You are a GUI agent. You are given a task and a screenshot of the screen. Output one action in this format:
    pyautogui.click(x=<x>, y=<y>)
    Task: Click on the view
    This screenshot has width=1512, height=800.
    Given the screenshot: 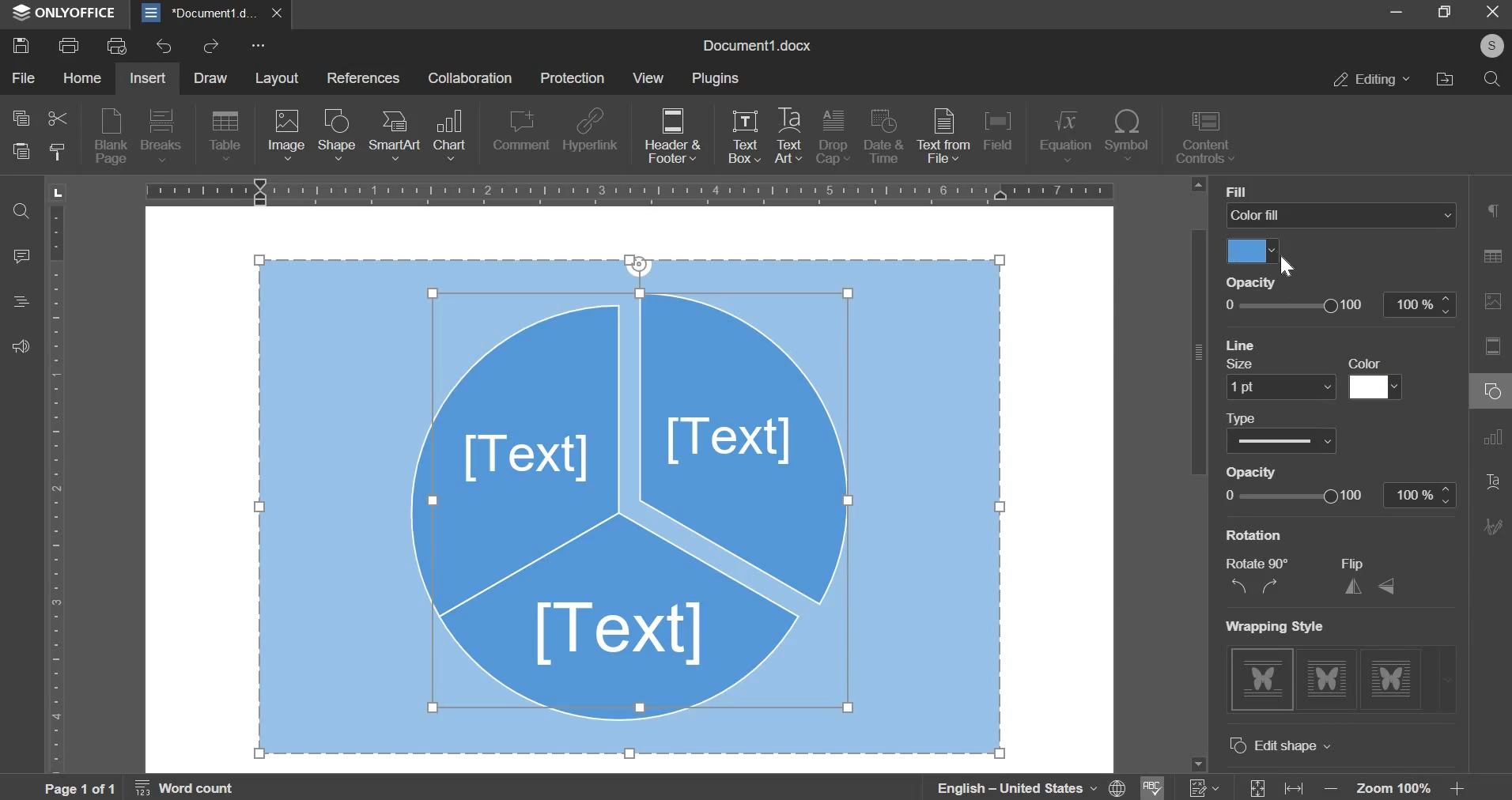 What is the action you would take?
    pyautogui.click(x=652, y=80)
    